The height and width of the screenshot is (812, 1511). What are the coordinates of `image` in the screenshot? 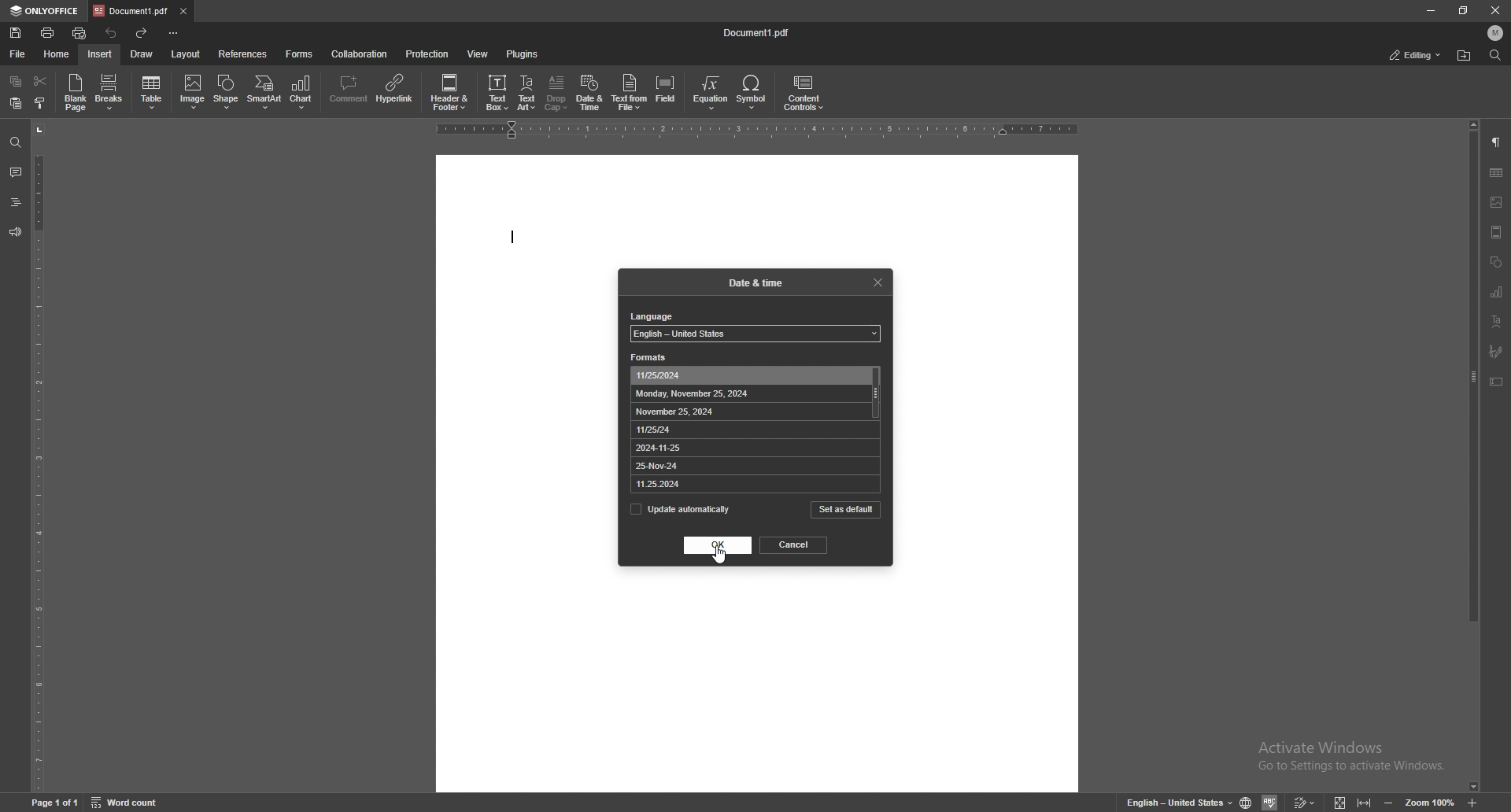 It's located at (190, 92).